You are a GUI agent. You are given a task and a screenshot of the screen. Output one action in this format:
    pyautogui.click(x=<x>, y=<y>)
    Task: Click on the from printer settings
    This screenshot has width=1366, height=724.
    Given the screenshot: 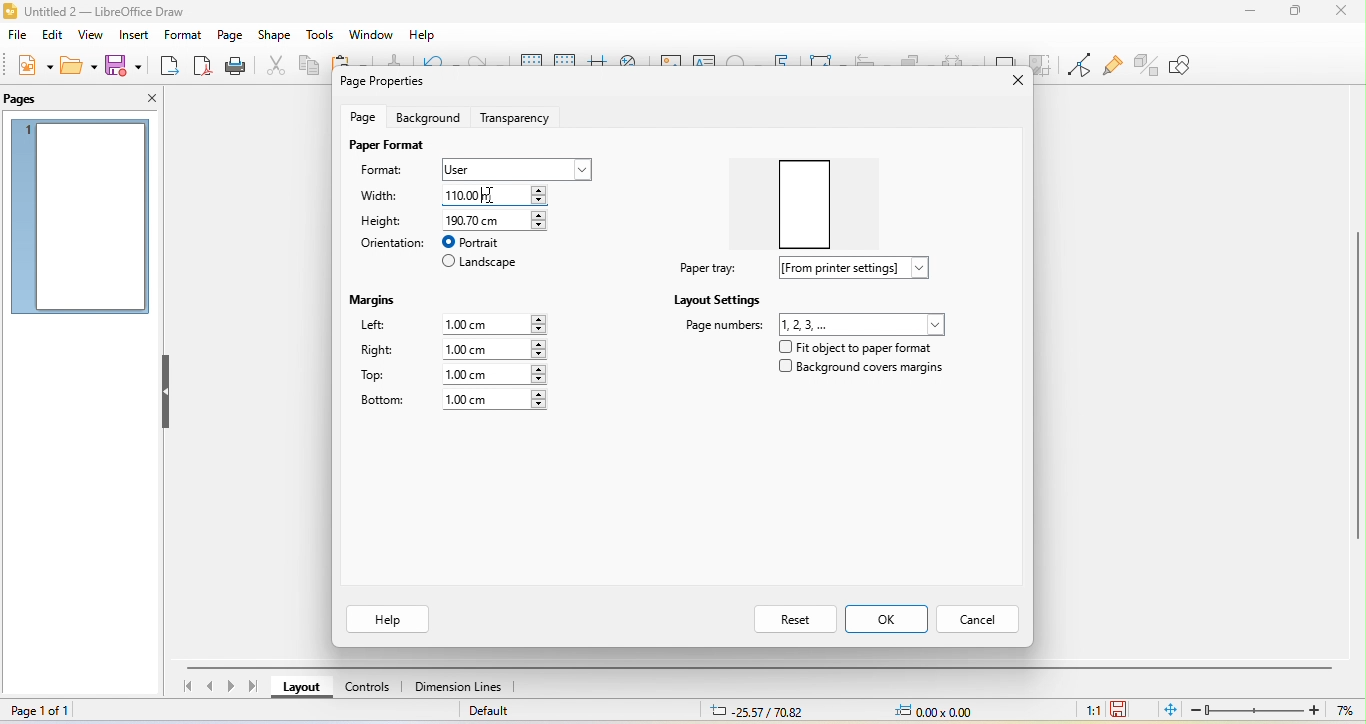 What is the action you would take?
    pyautogui.click(x=862, y=268)
    